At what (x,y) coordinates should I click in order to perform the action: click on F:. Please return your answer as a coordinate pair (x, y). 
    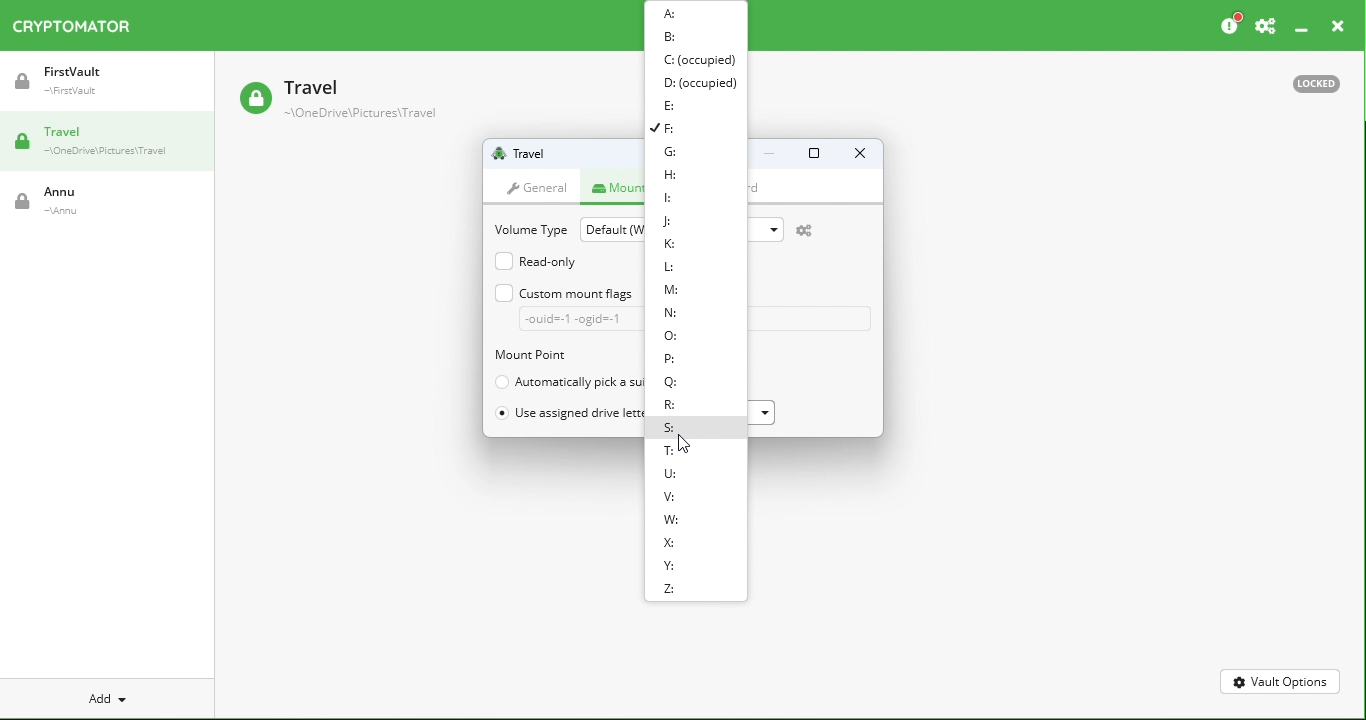
    Looking at the image, I should click on (675, 127).